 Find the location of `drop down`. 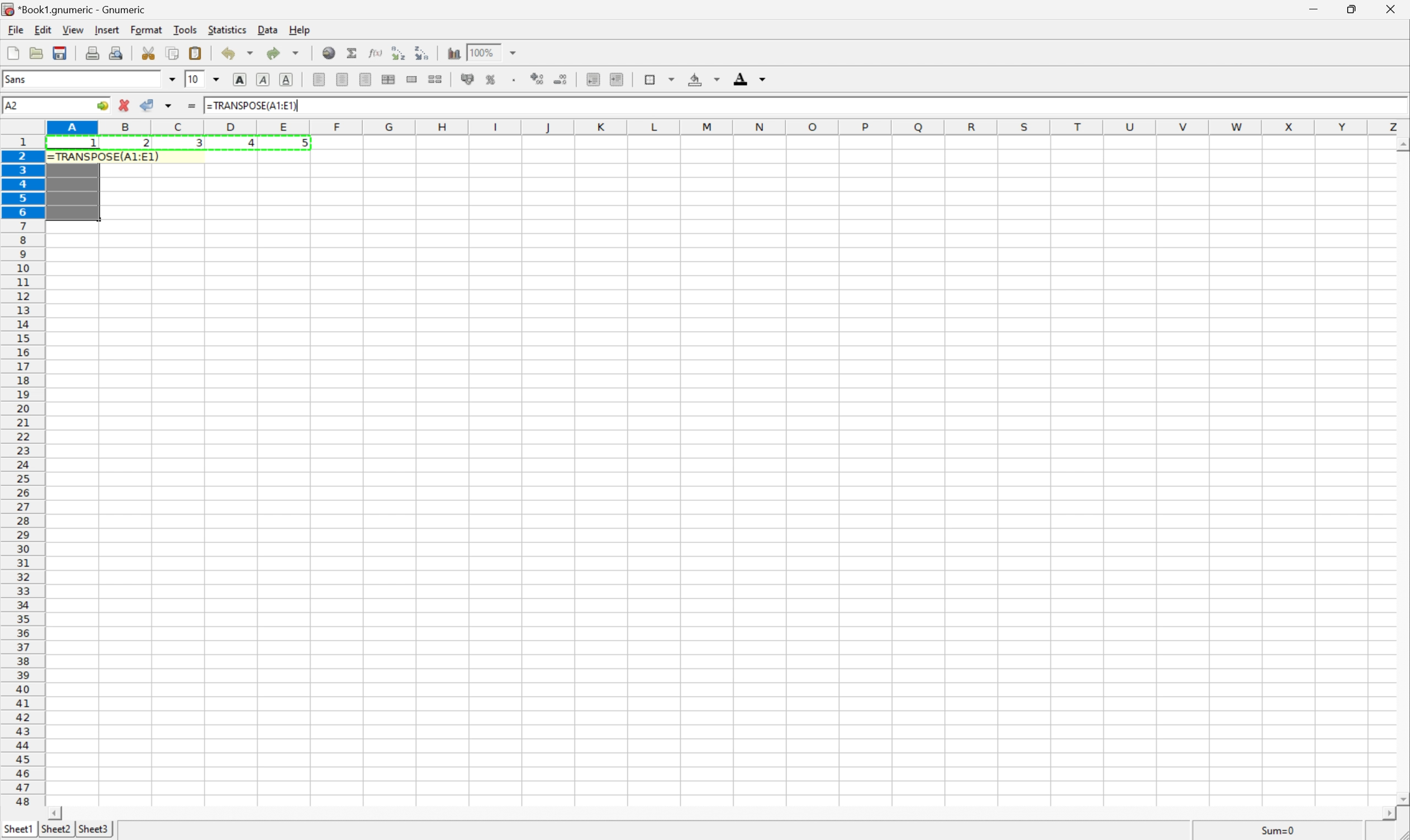

drop down is located at coordinates (172, 81).